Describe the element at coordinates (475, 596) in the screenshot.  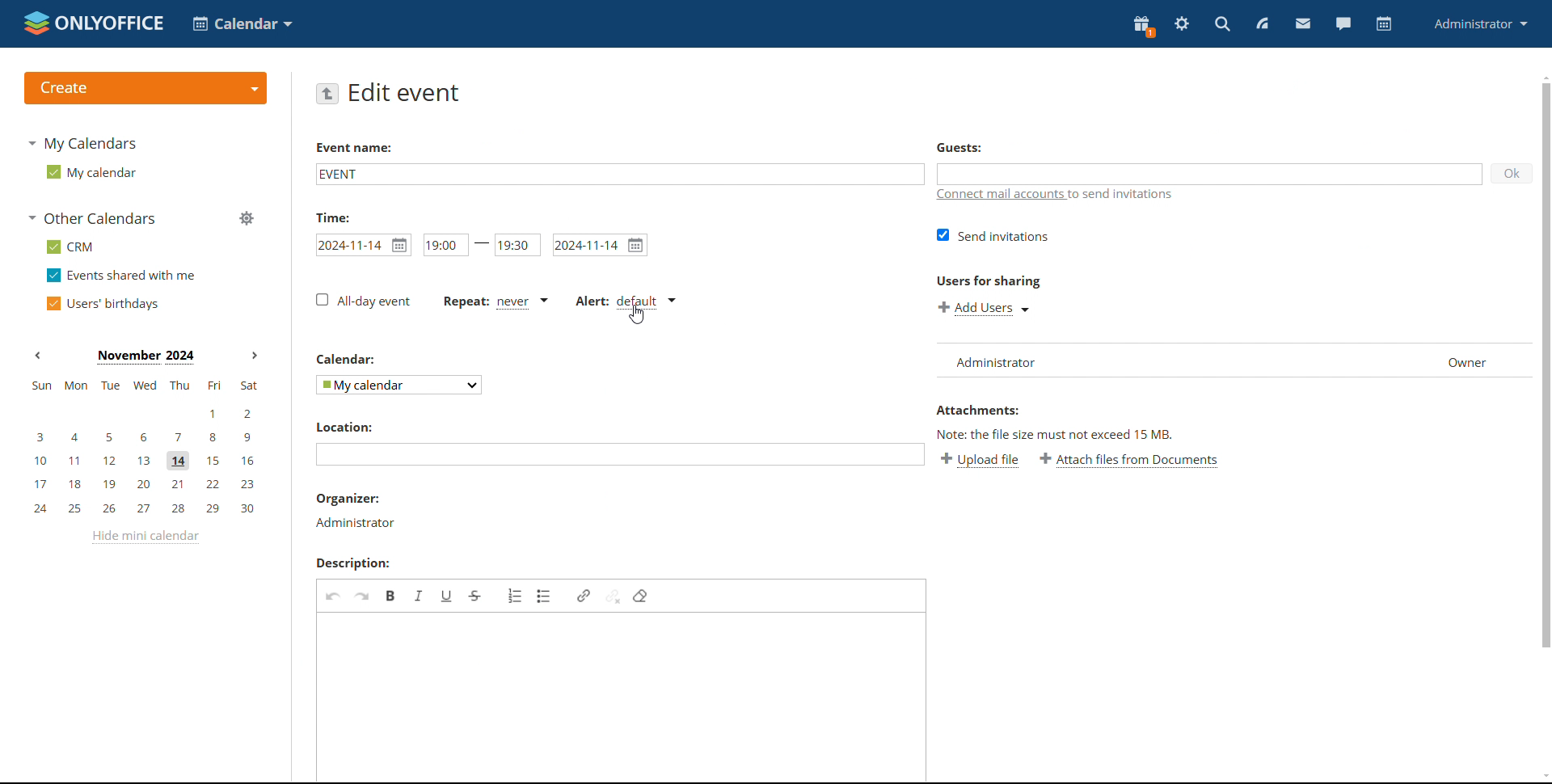
I see `strikethrough` at that location.